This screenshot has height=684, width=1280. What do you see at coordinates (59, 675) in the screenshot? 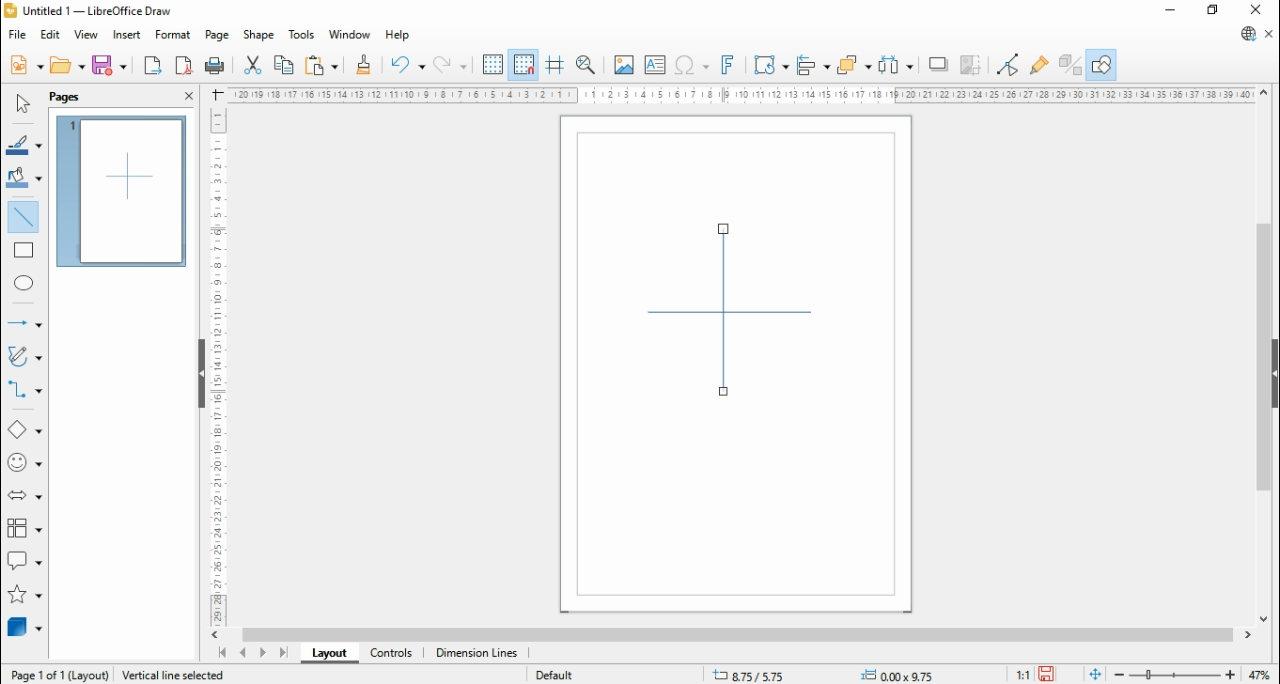
I see `page 1 of 1` at bounding box center [59, 675].